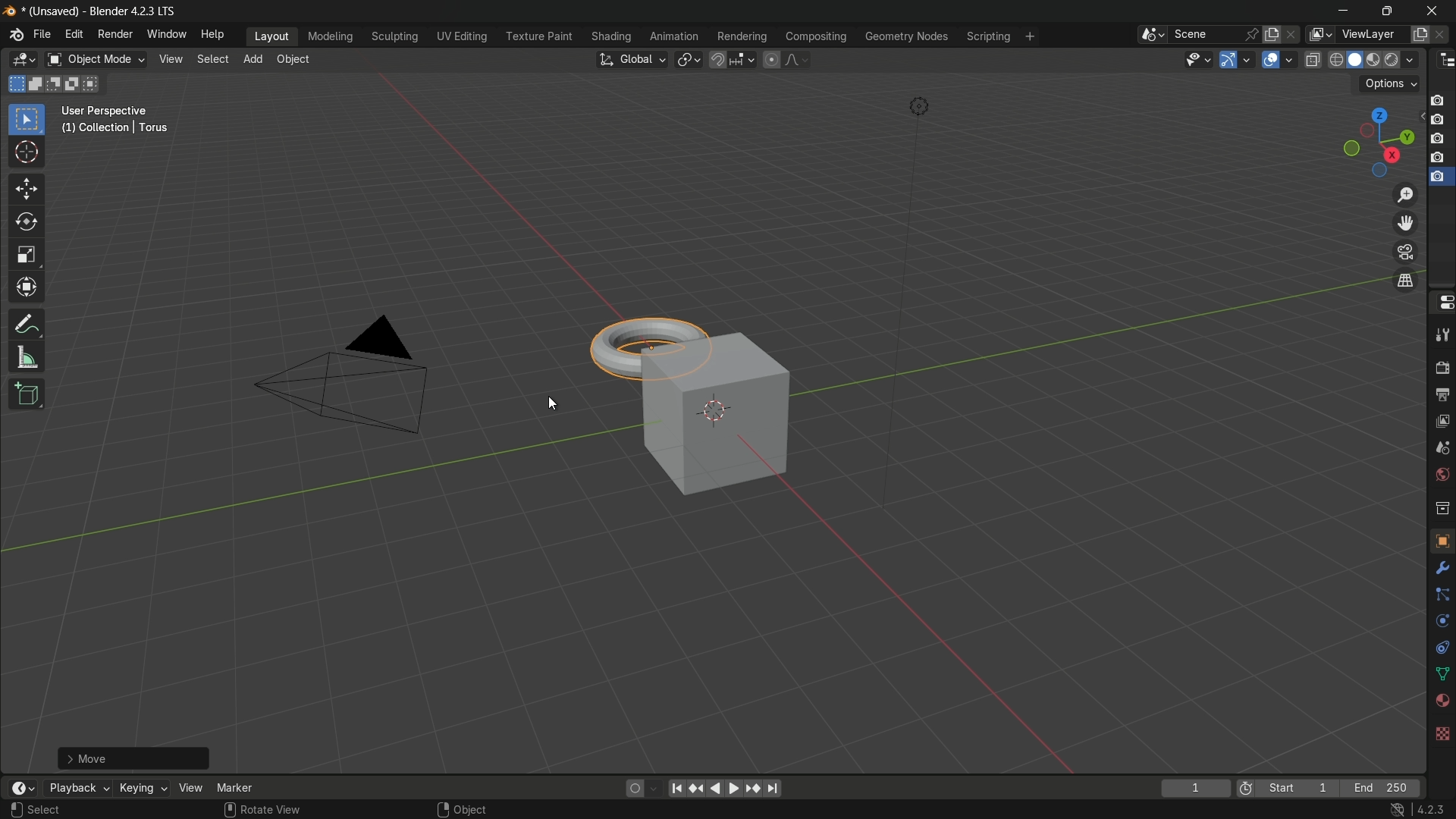  What do you see at coordinates (1195, 789) in the screenshot?
I see `1` at bounding box center [1195, 789].